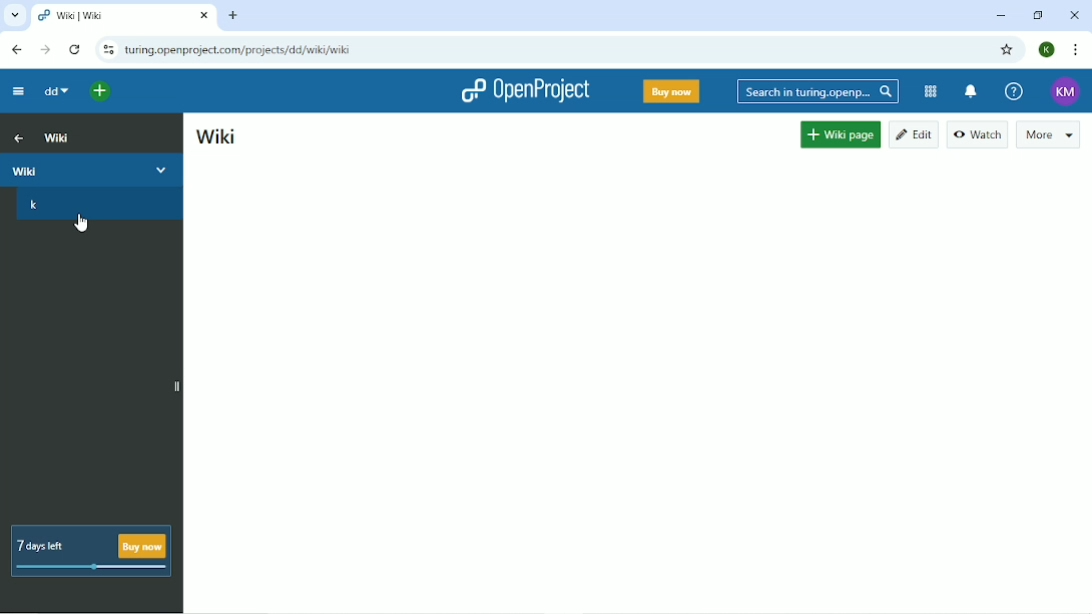 The width and height of the screenshot is (1092, 614). What do you see at coordinates (1074, 15) in the screenshot?
I see `Close` at bounding box center [1074, 15].